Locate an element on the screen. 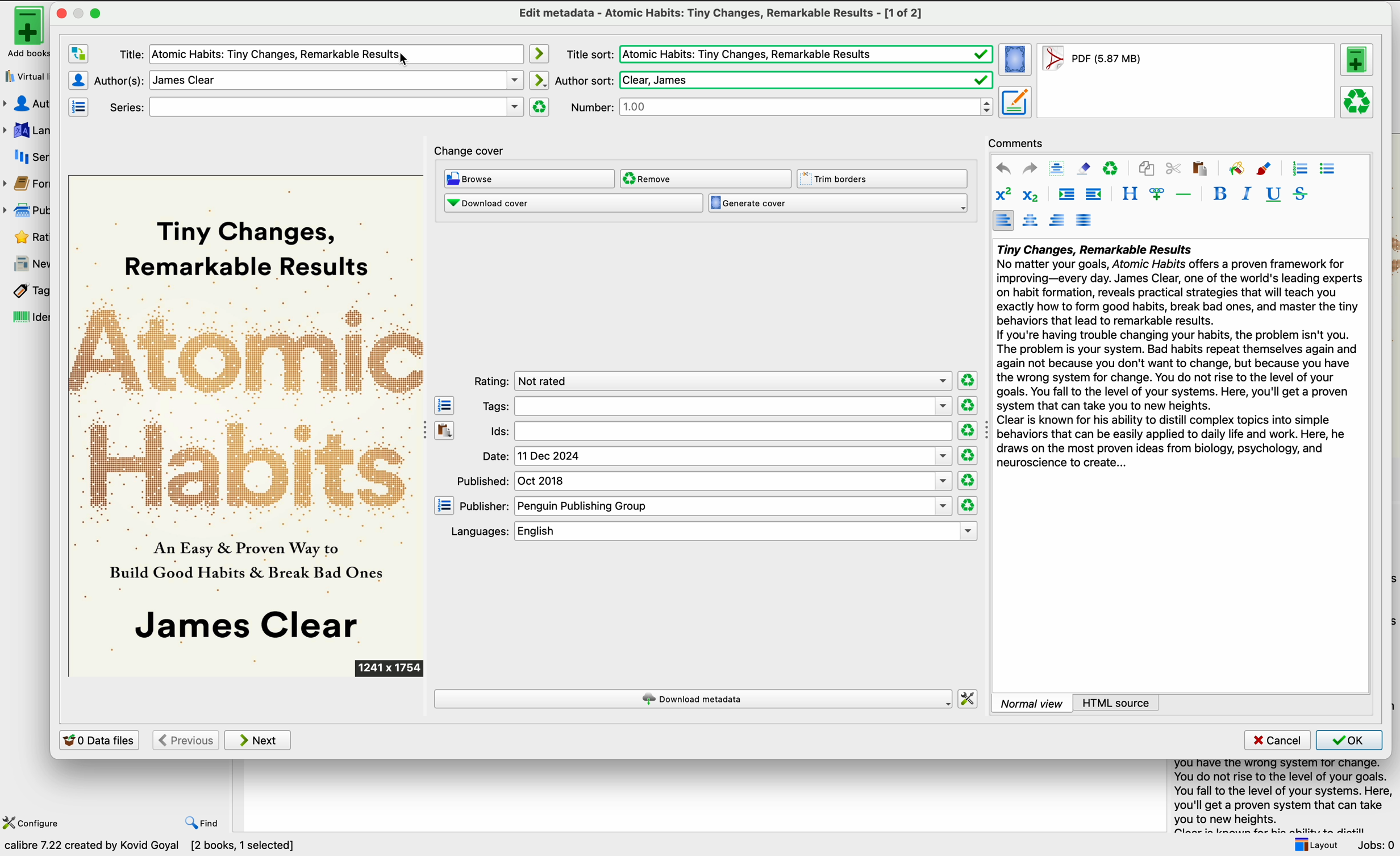 The height and width of the screenshot is (856, 1400). swap the author and title is located at coordinates (78, 55).